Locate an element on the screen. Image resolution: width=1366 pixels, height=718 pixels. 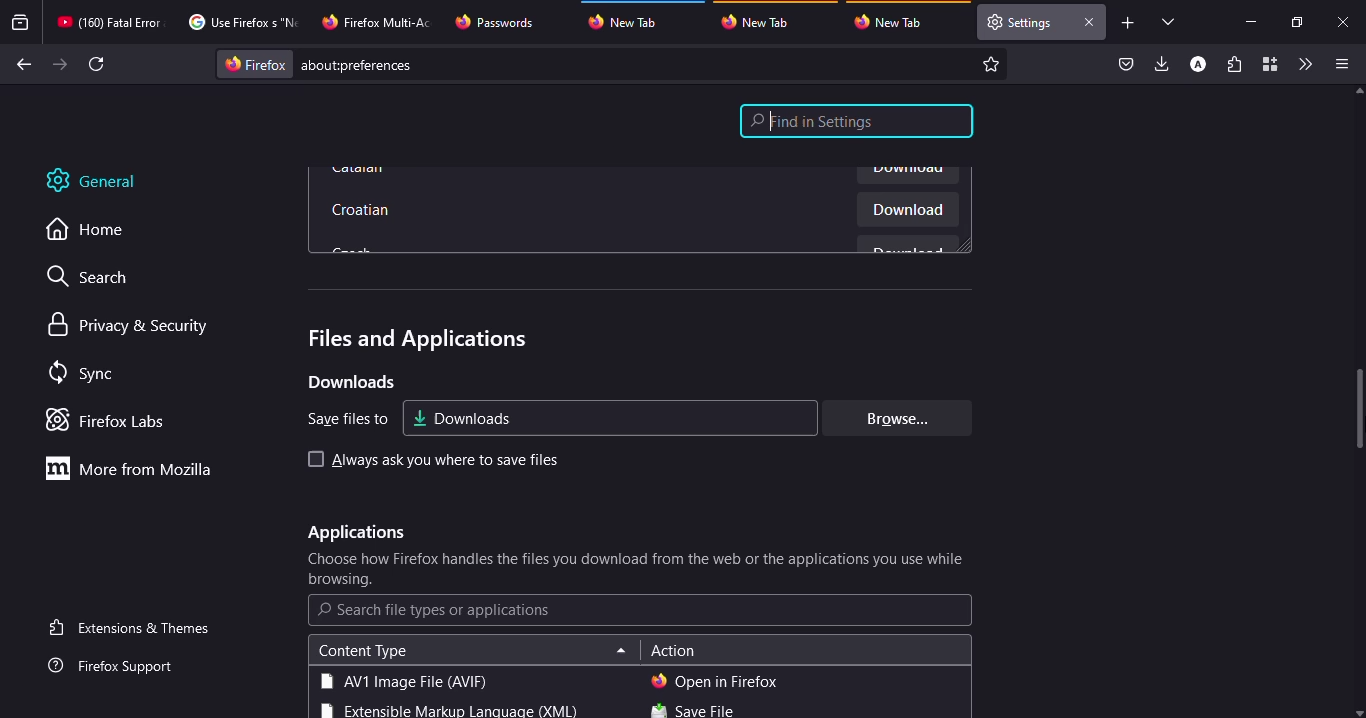
menu is located at coordinates (1338, 64).